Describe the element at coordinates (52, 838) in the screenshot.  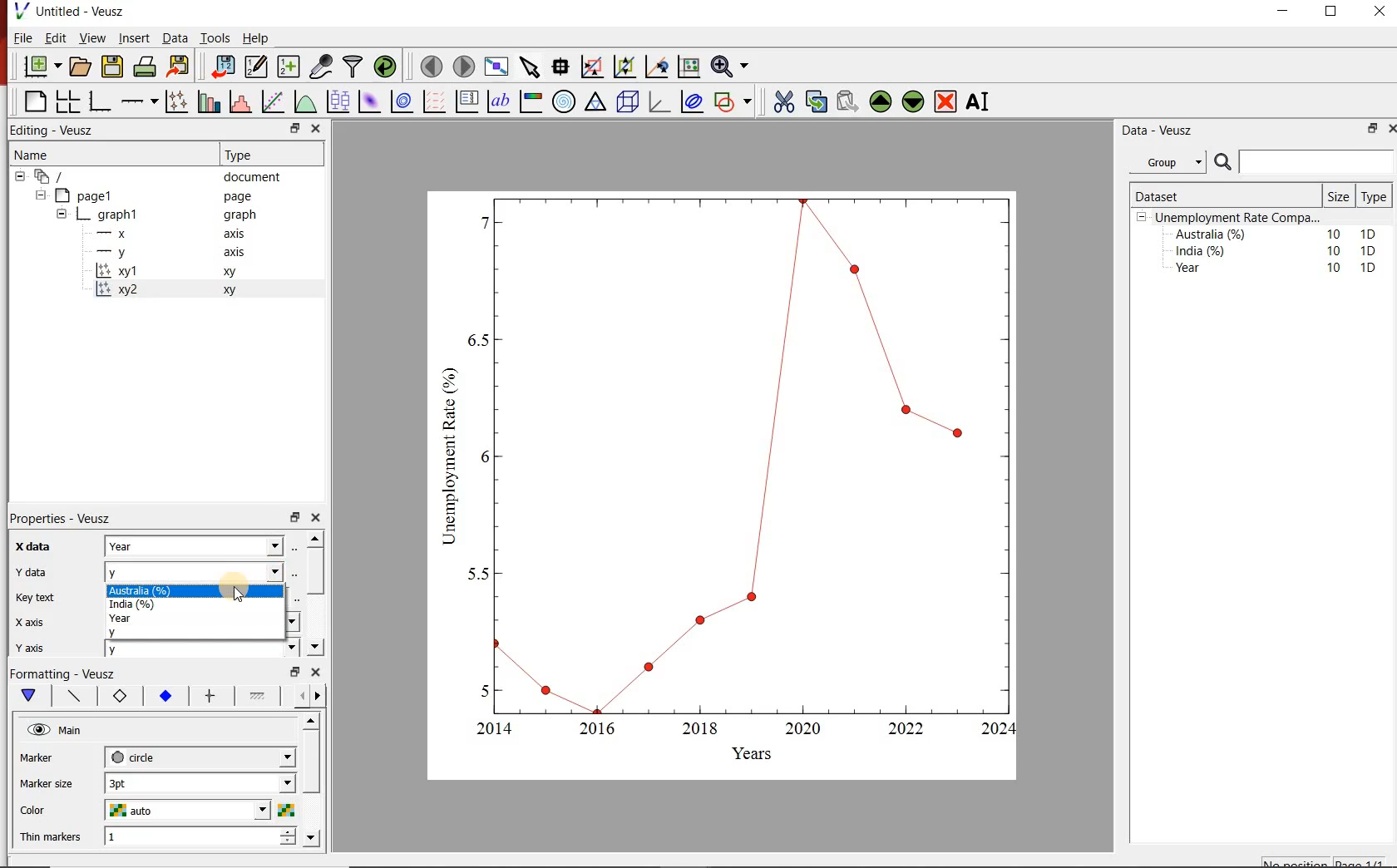
I see `Thin markers` at that location.